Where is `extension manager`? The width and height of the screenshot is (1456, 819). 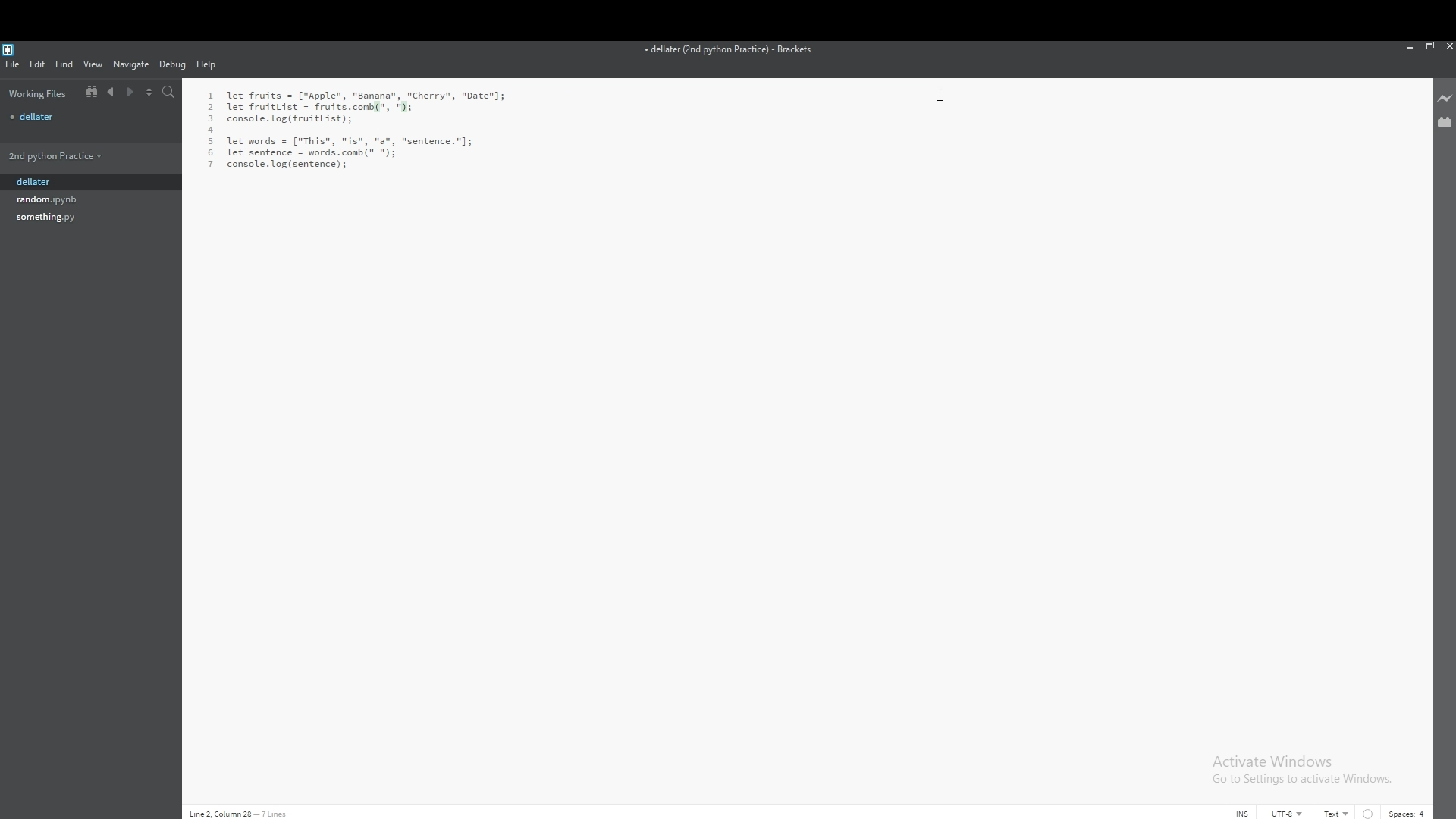 extension manager is located at coordinates (1444, 121).